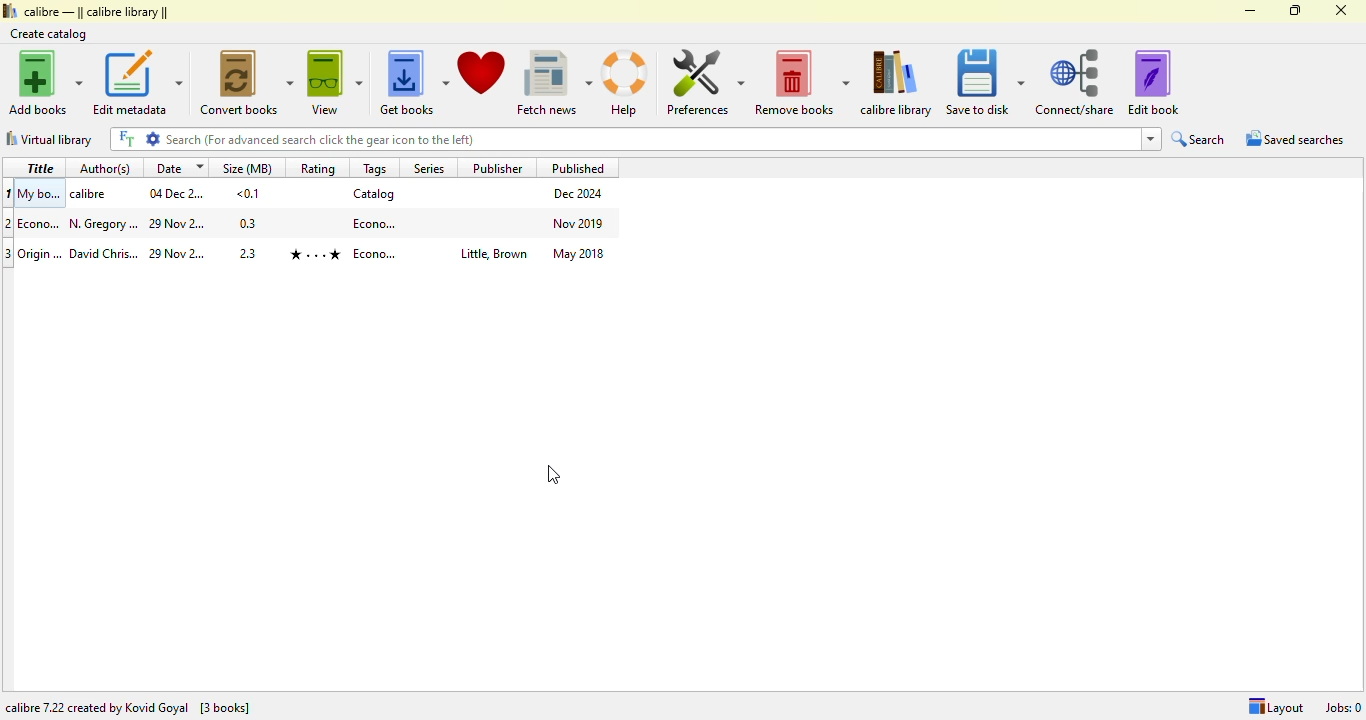 This screenshot has height=720, width=1366. I want to click on size(MB), so click(248, 169).